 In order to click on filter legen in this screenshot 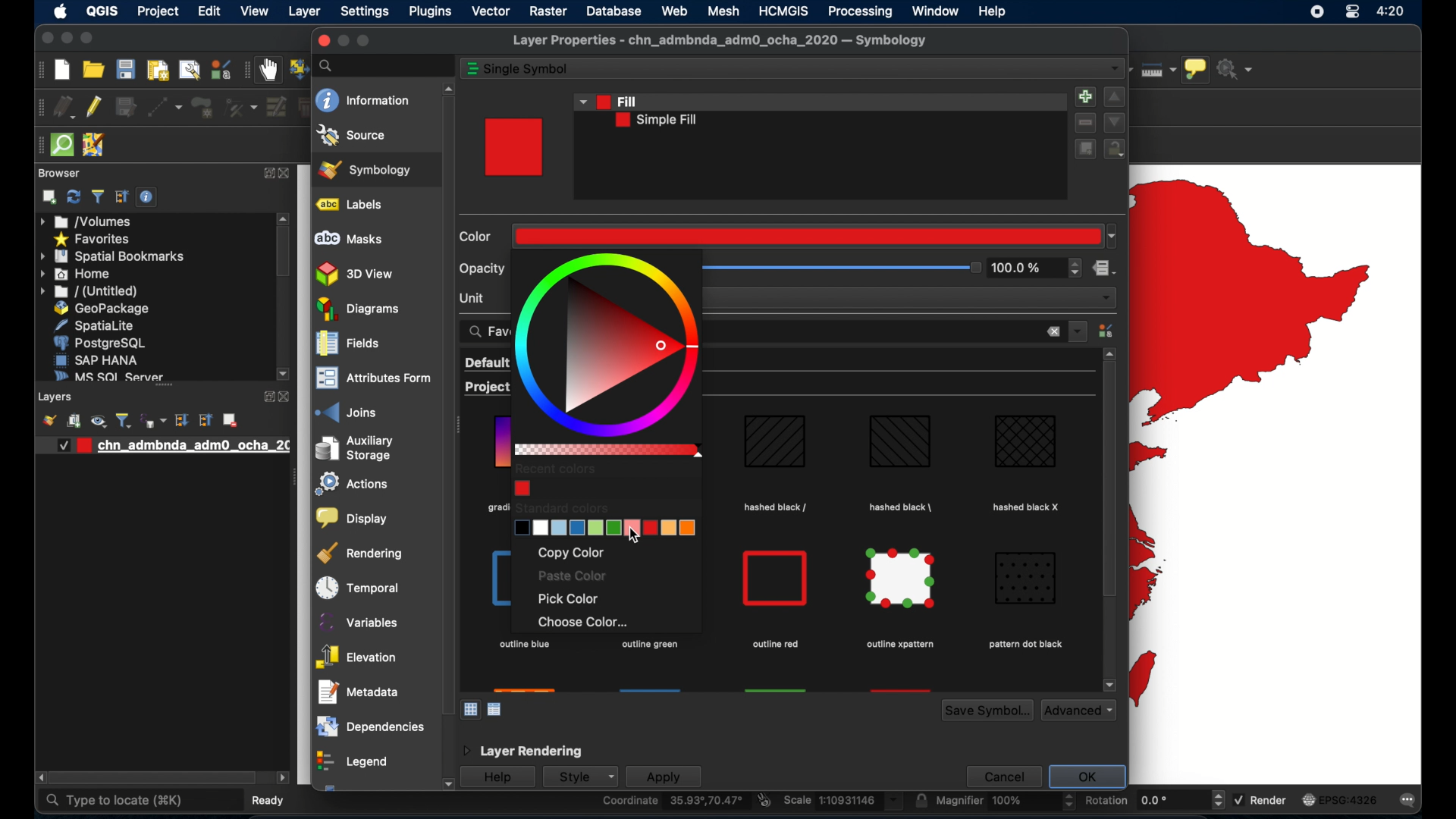, I will do `click(124, 420)`.